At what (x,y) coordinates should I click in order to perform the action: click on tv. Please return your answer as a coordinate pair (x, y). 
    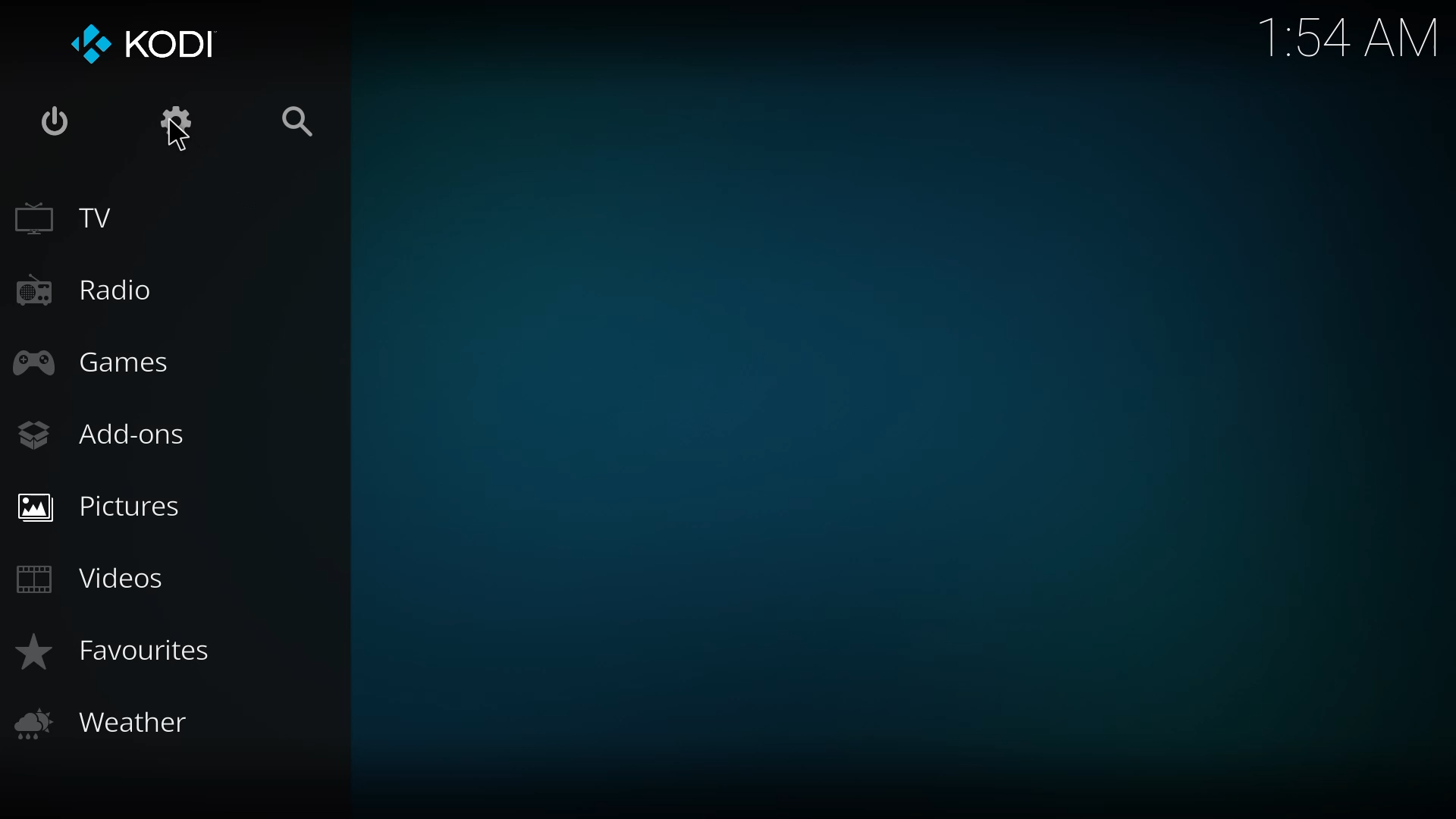
    Looking at the image, I should click on (74, 216).